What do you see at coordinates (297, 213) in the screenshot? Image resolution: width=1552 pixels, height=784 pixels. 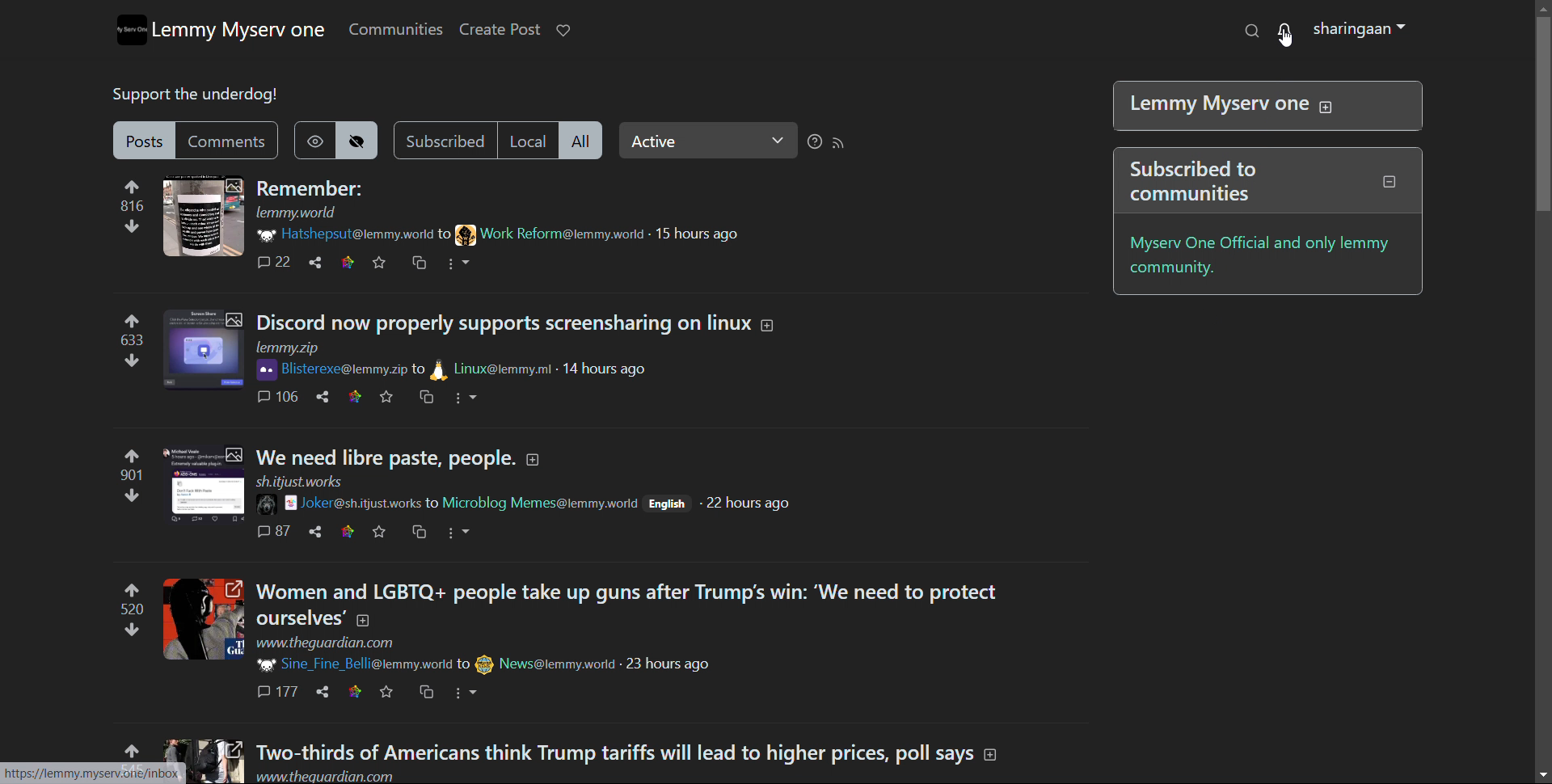 I see `url` at bounding box center [297, 213].